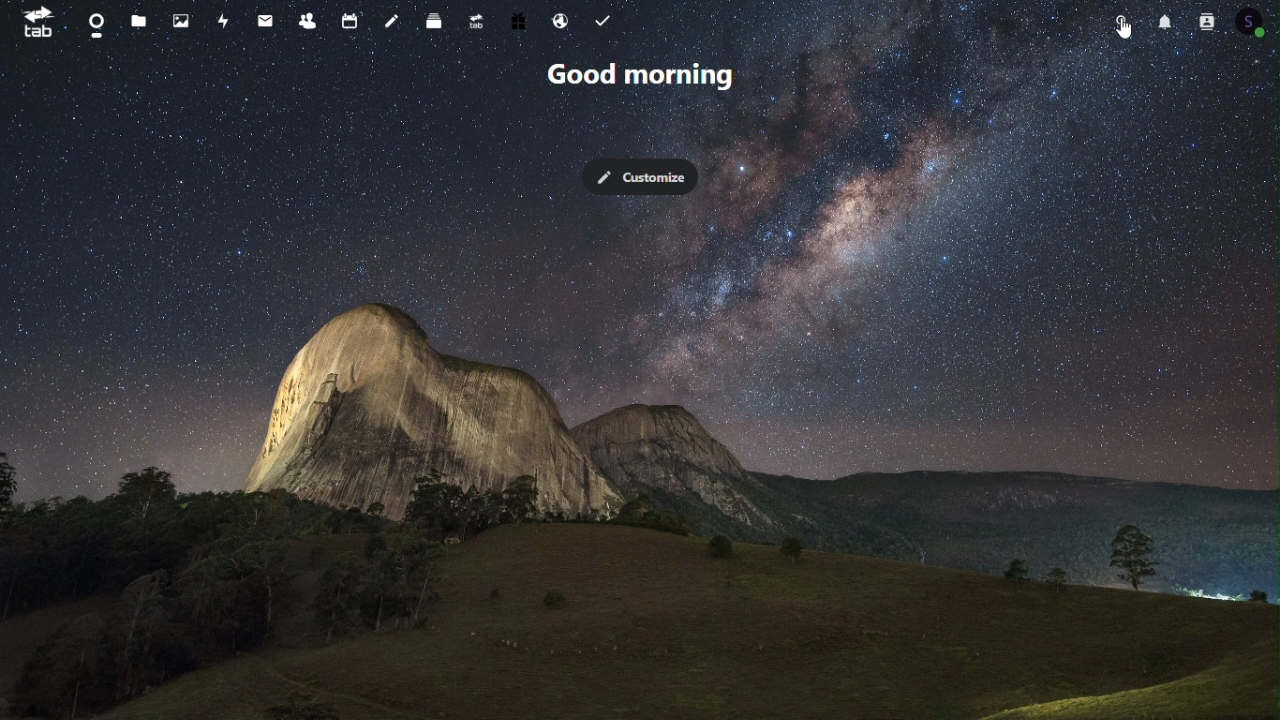 The image size is (1280, 720). Describe the element at coordinates (181, 19) in the screenshot. I see `Photos` at that location.